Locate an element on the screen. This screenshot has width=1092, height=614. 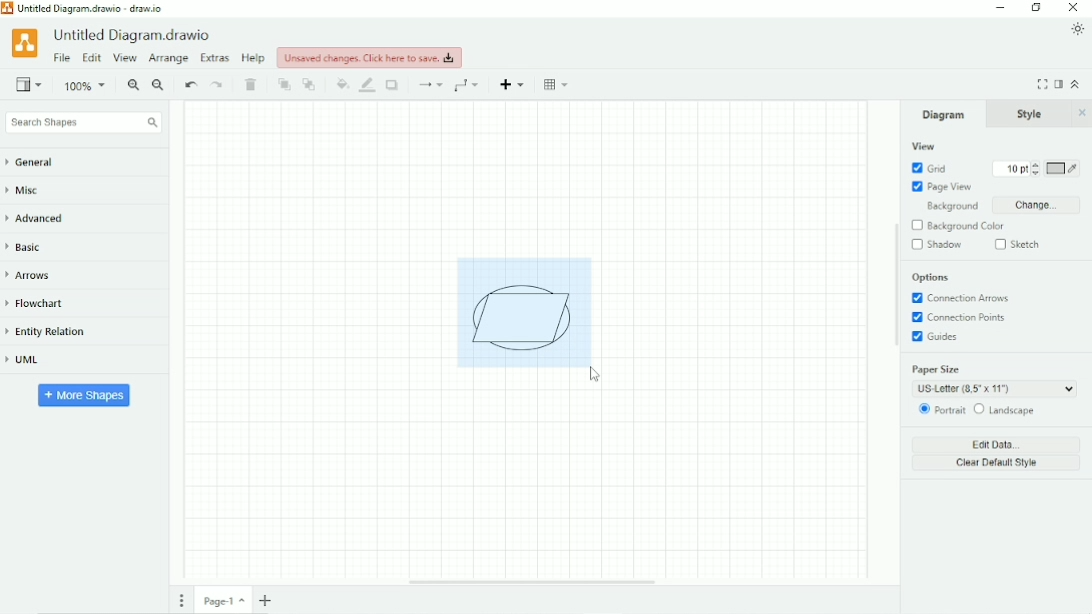
Diagram is located at coordinates (944, 114).